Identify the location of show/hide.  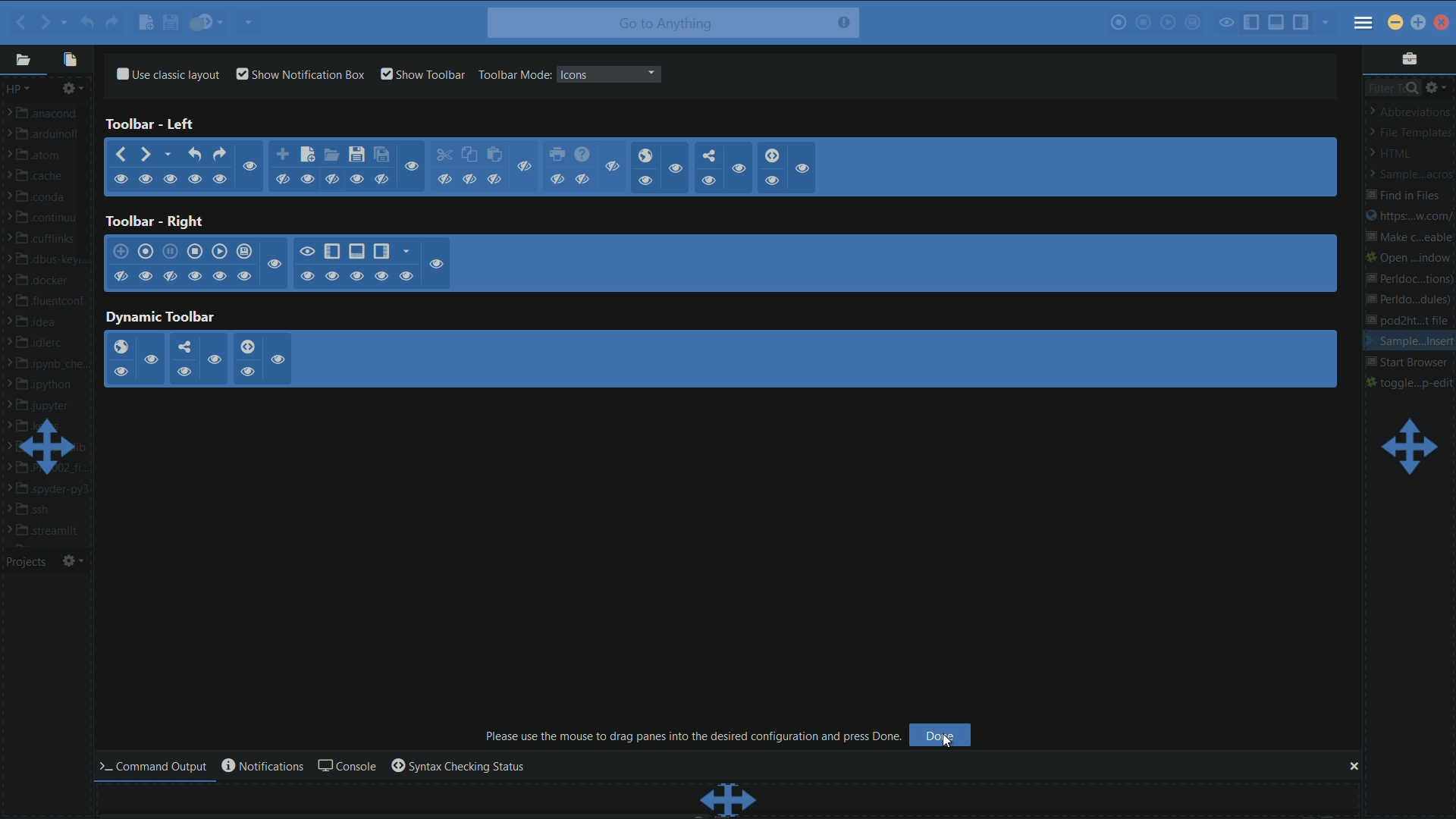
(805, 169).